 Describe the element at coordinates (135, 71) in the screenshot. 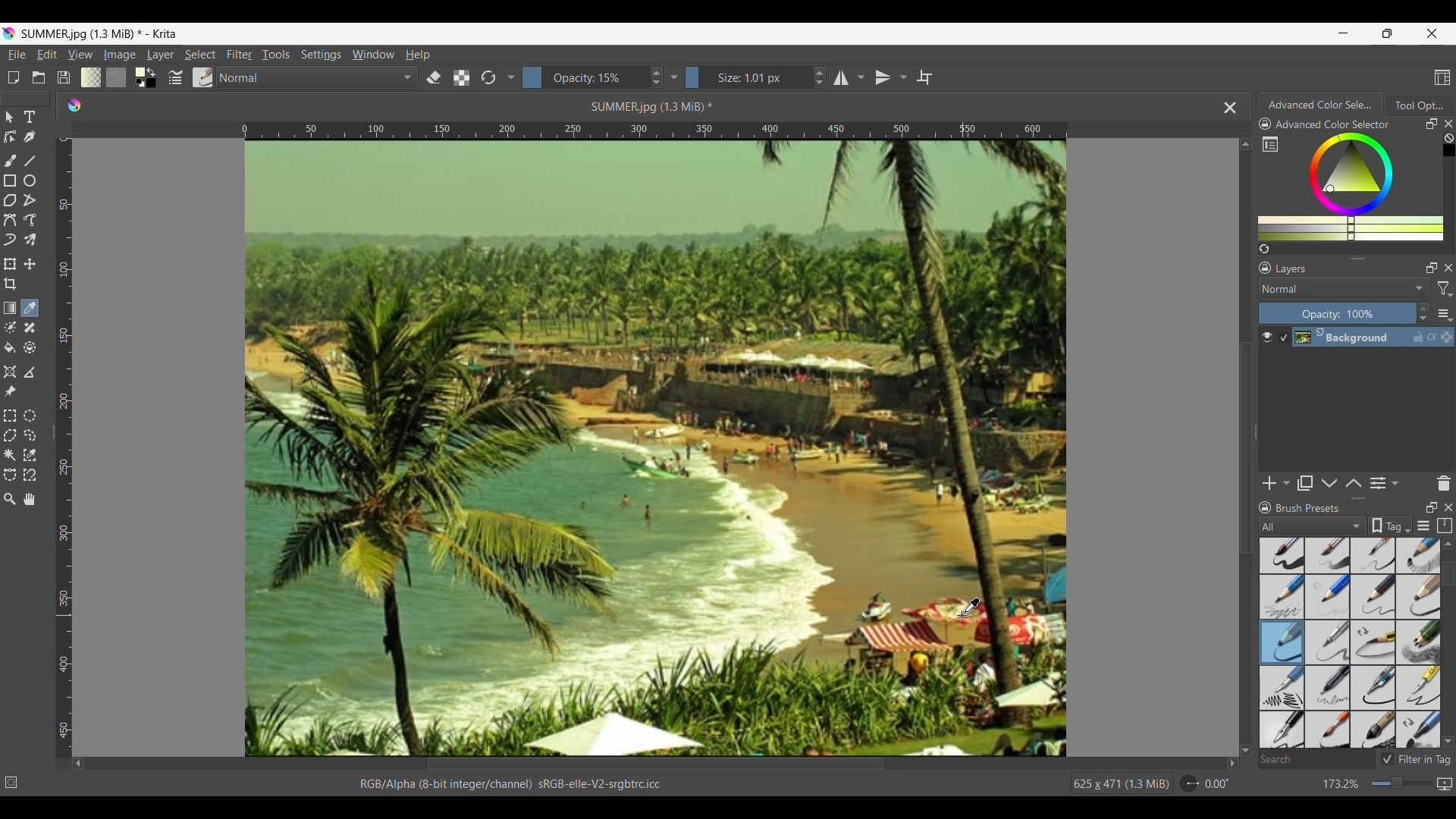

I see `Foreground color` at that location.